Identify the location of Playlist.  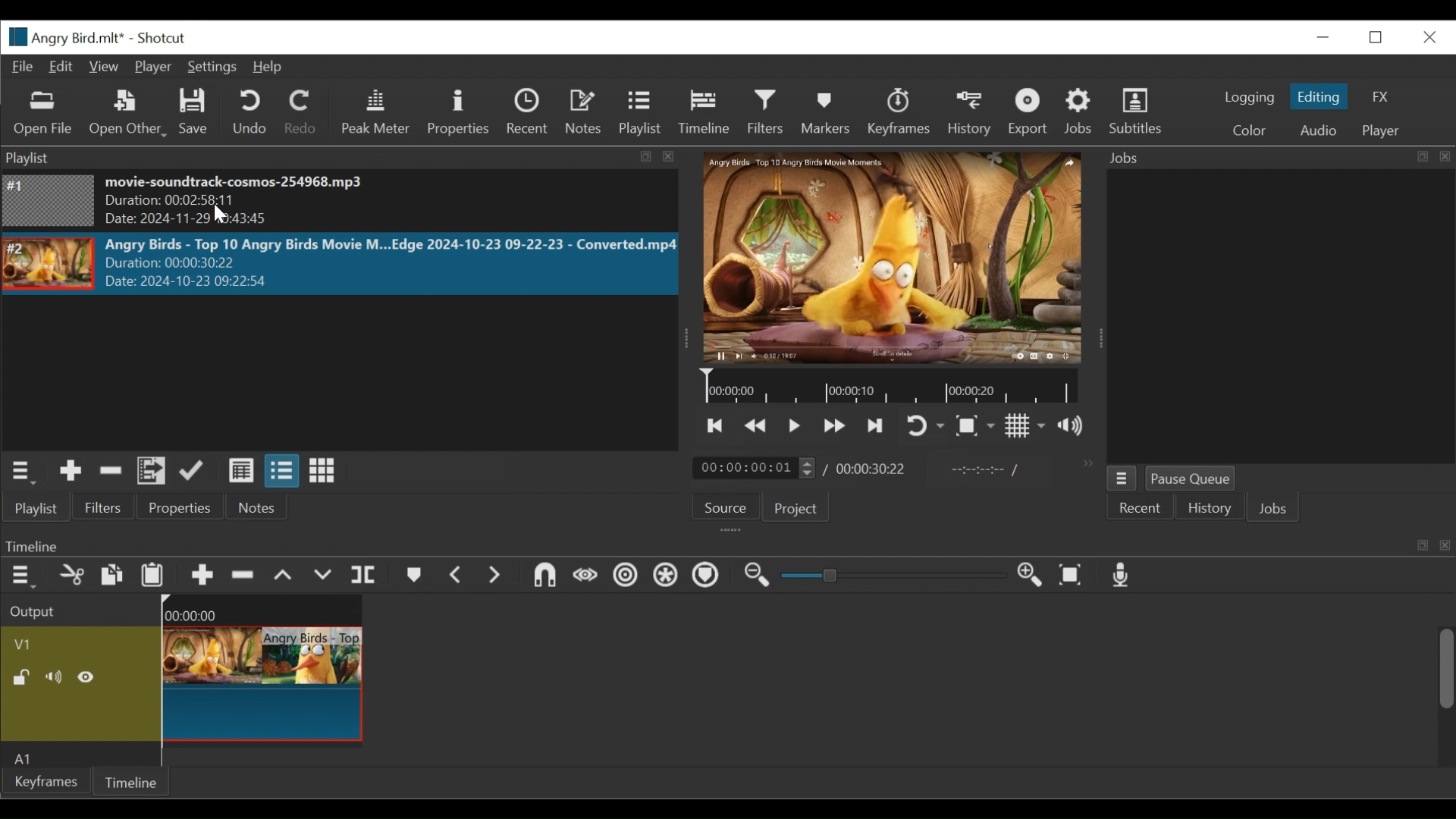
(42, 507).